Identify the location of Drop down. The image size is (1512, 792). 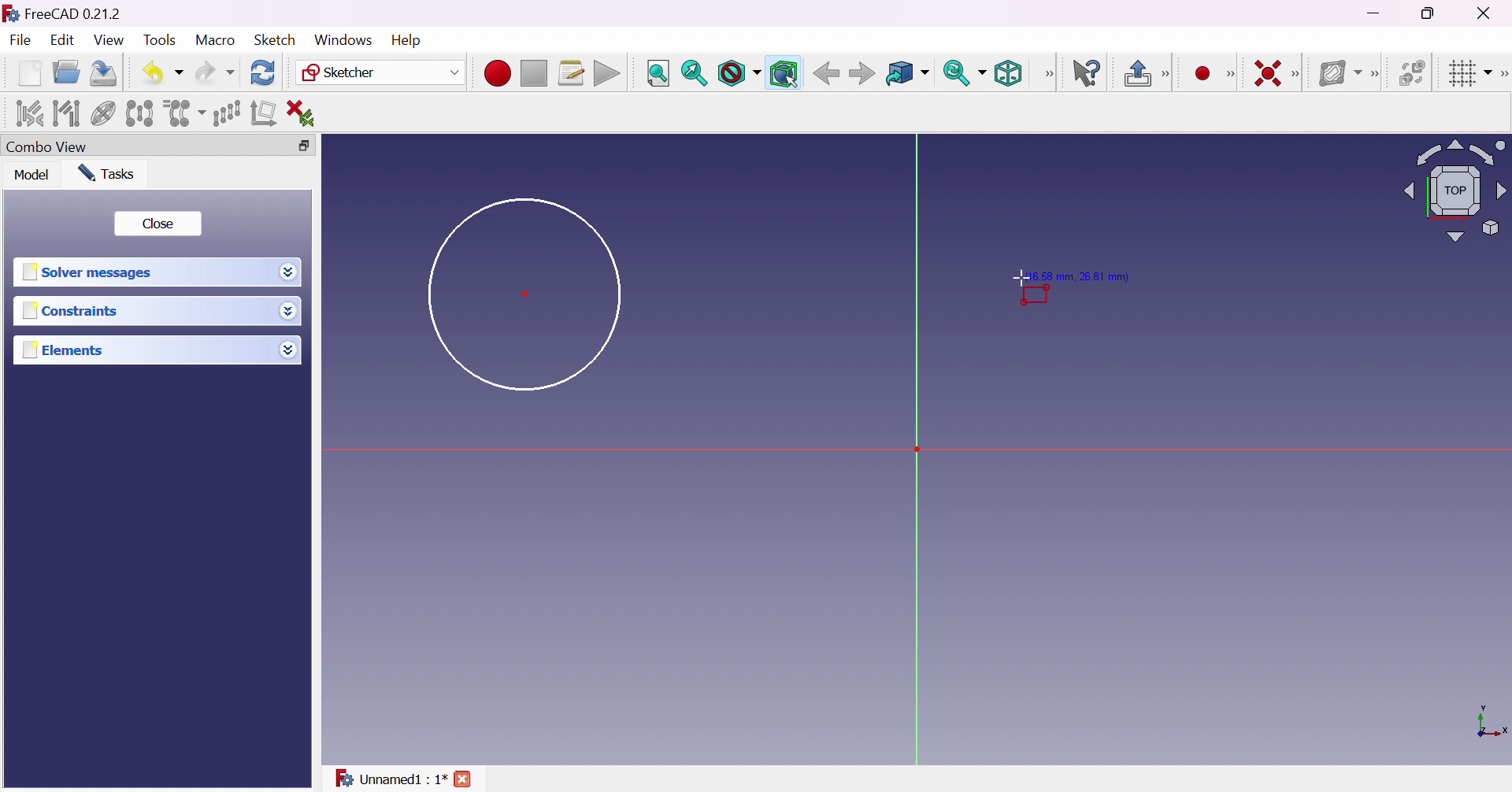
(288, 350).